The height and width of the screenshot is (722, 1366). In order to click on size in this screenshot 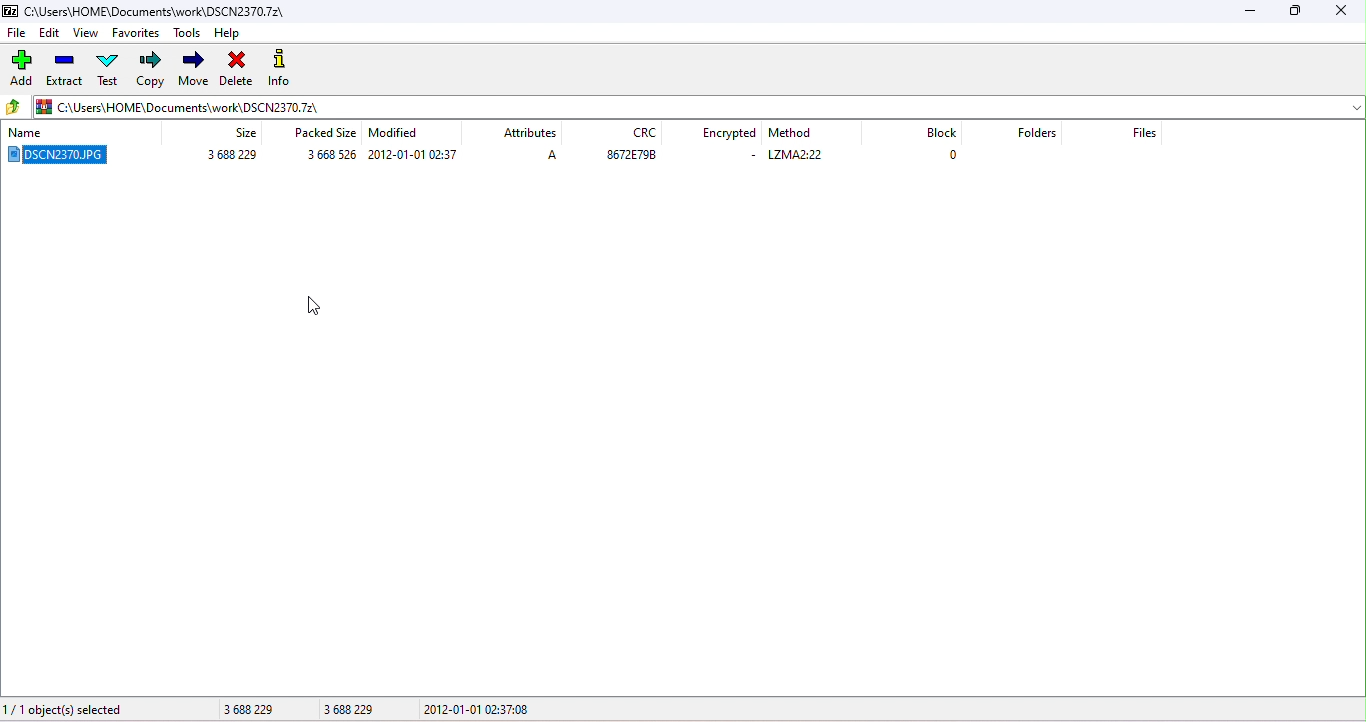, I will do `click(242, 135)`.